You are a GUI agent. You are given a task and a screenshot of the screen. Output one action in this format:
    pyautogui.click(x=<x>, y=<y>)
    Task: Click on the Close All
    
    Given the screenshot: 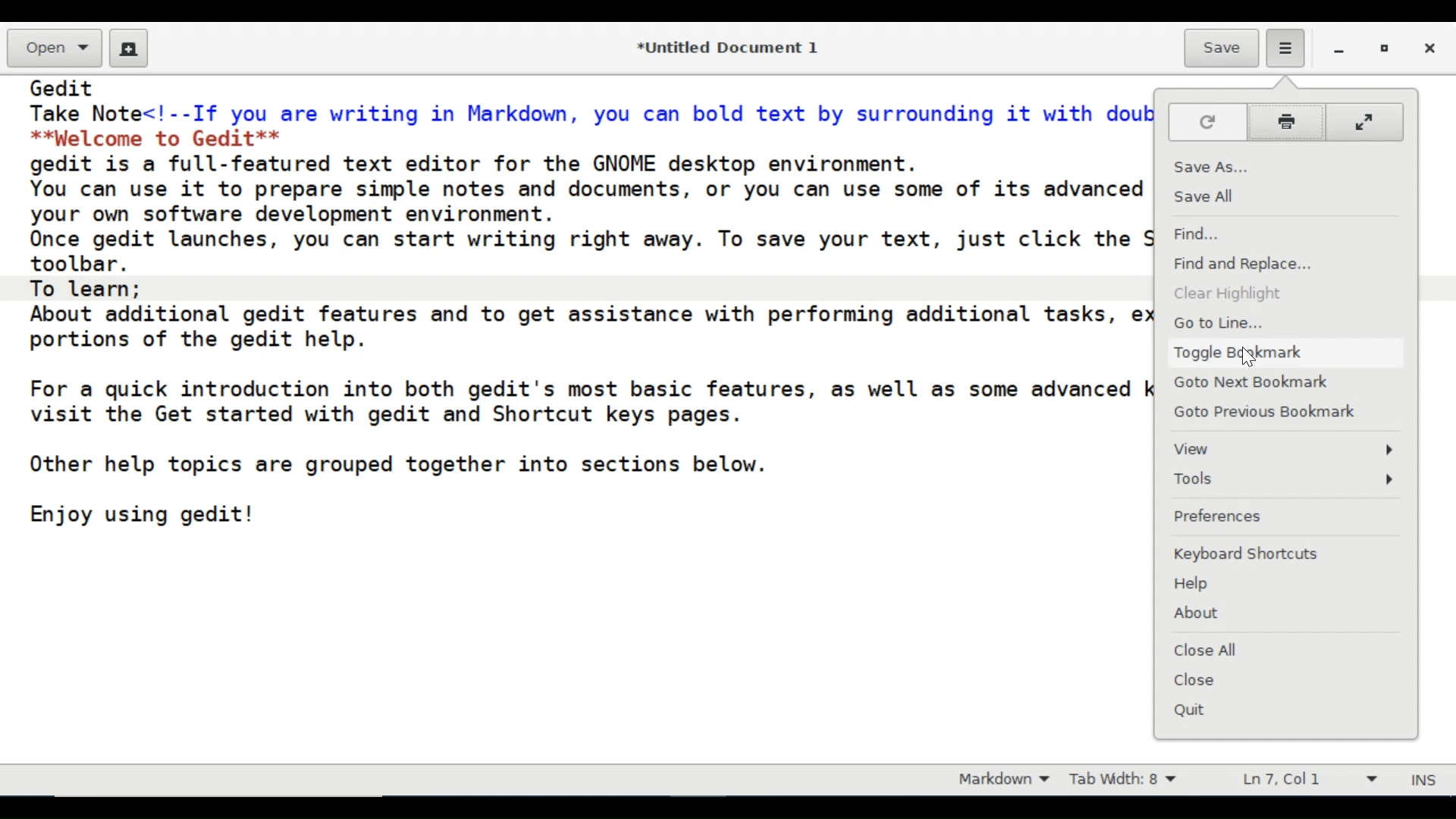 What is the action you would take?
    pyautogui.click(x=1203, y=650)
    